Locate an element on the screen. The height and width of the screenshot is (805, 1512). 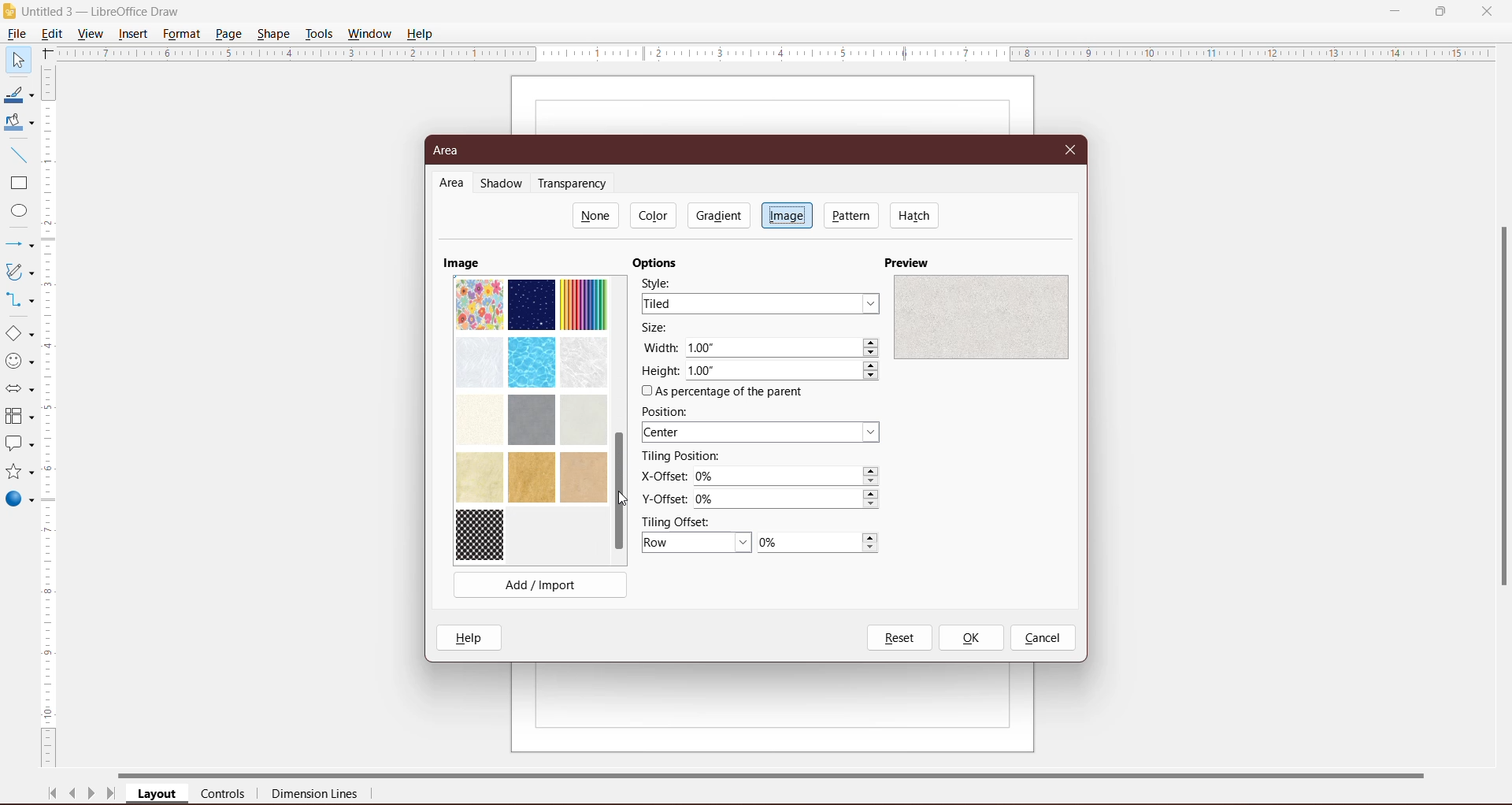
Shadow is located at coordinates (504, 184).